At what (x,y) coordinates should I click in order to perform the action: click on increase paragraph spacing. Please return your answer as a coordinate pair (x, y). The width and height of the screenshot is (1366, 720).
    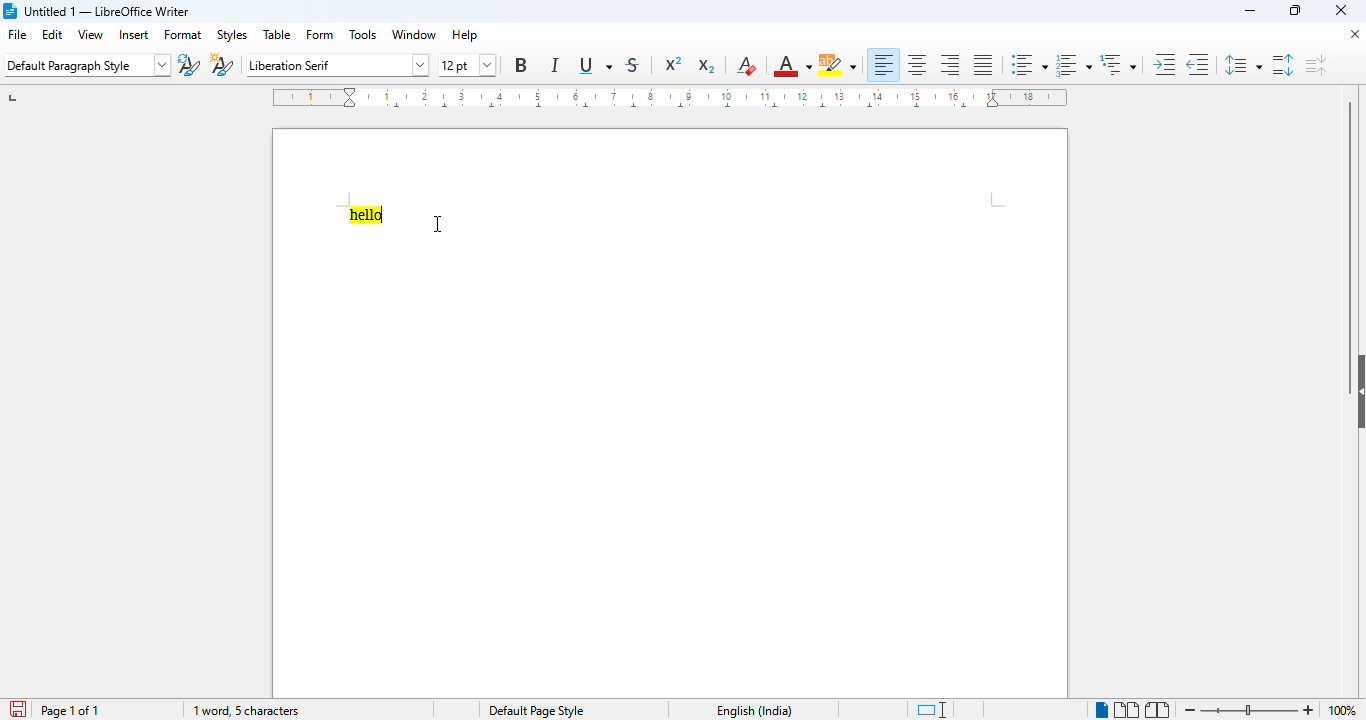
    Looking at the image, I should click on (1281, 65).